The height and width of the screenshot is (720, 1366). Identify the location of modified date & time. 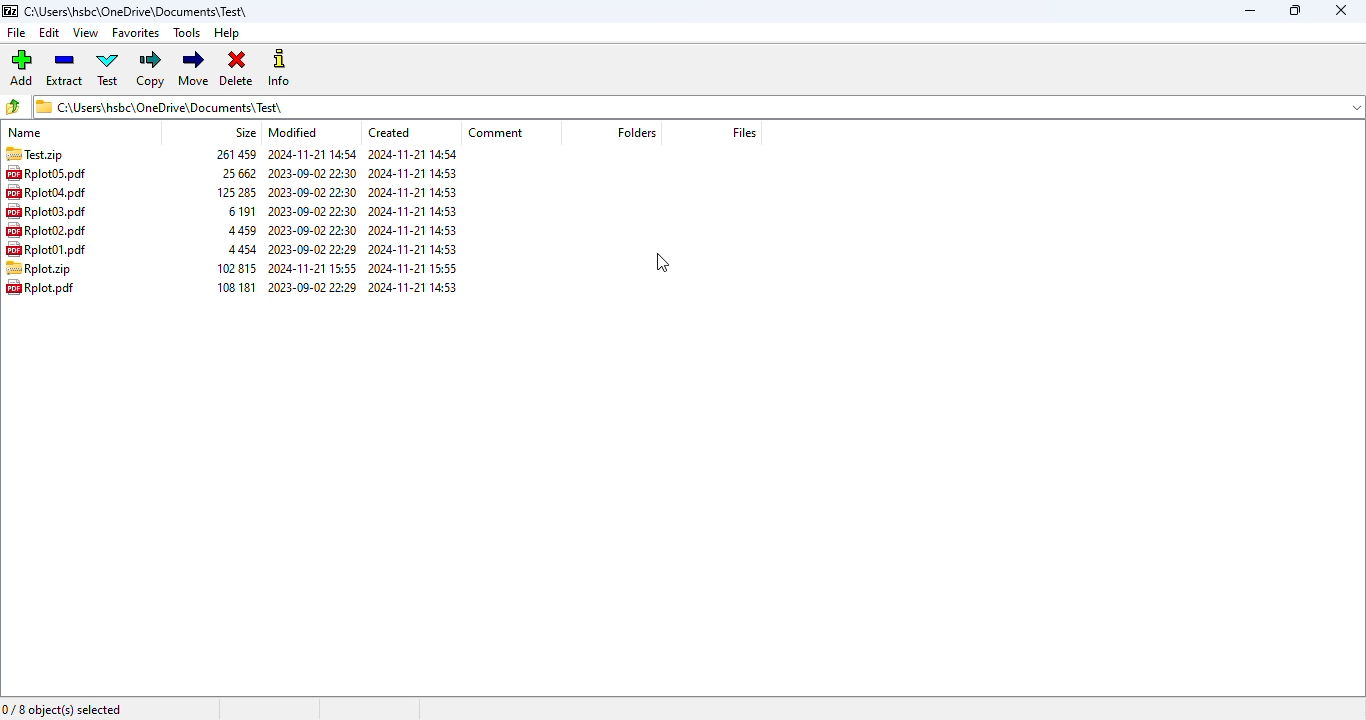
(312, 220).